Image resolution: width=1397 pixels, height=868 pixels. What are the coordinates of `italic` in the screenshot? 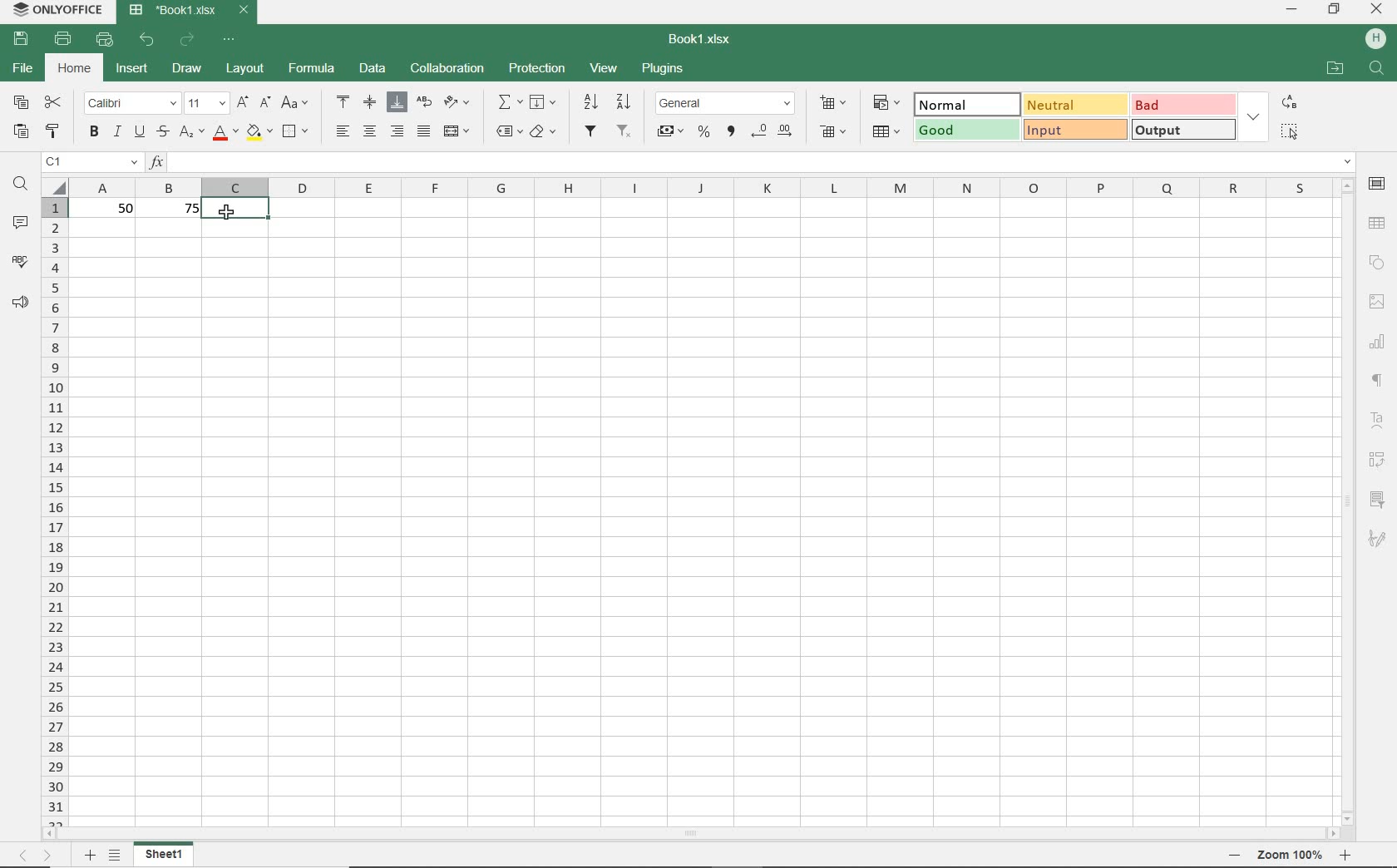 It's located at (116, 132).